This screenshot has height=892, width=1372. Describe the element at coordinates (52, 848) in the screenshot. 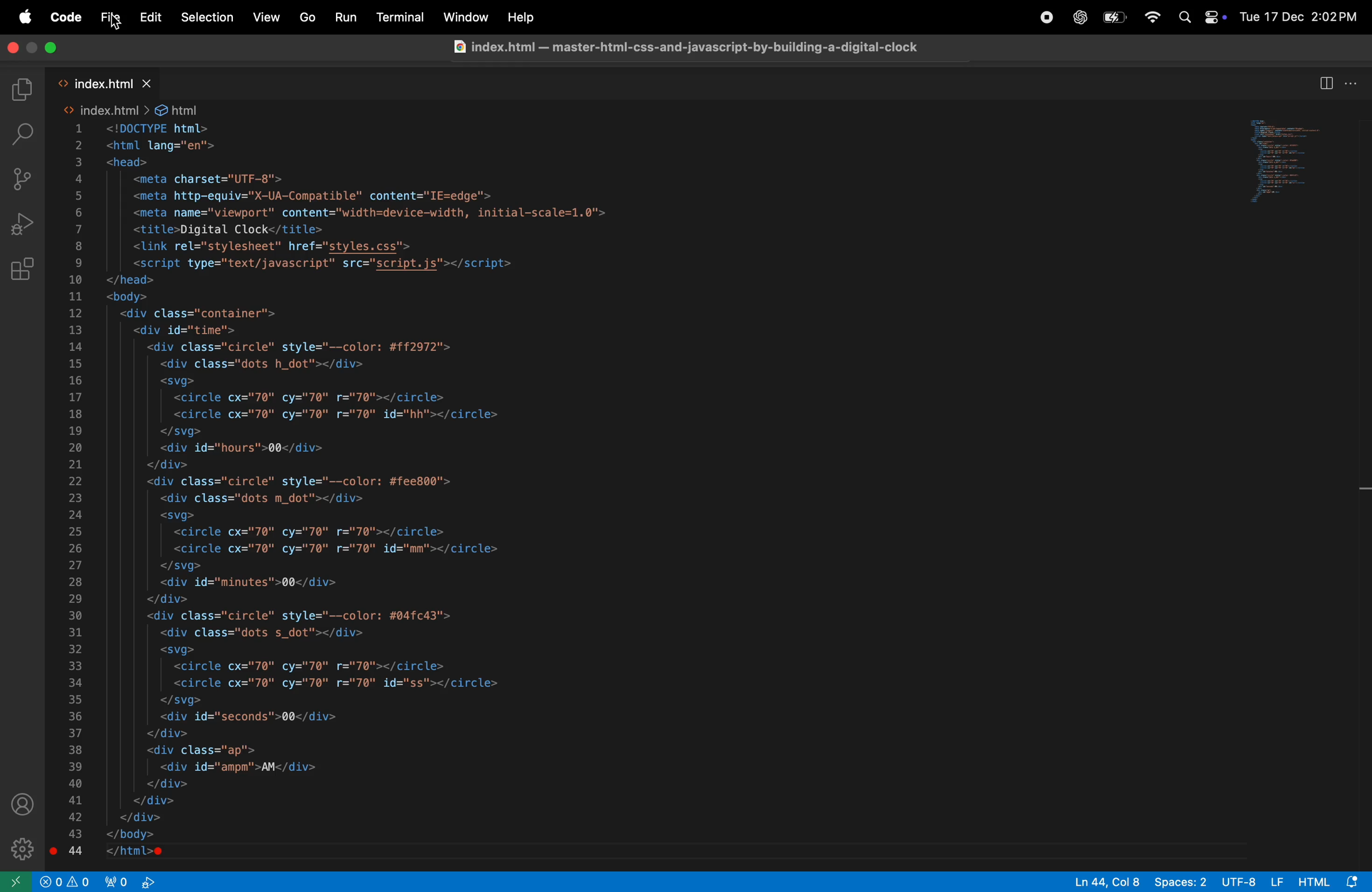

I see `Breakpoint` at that location.